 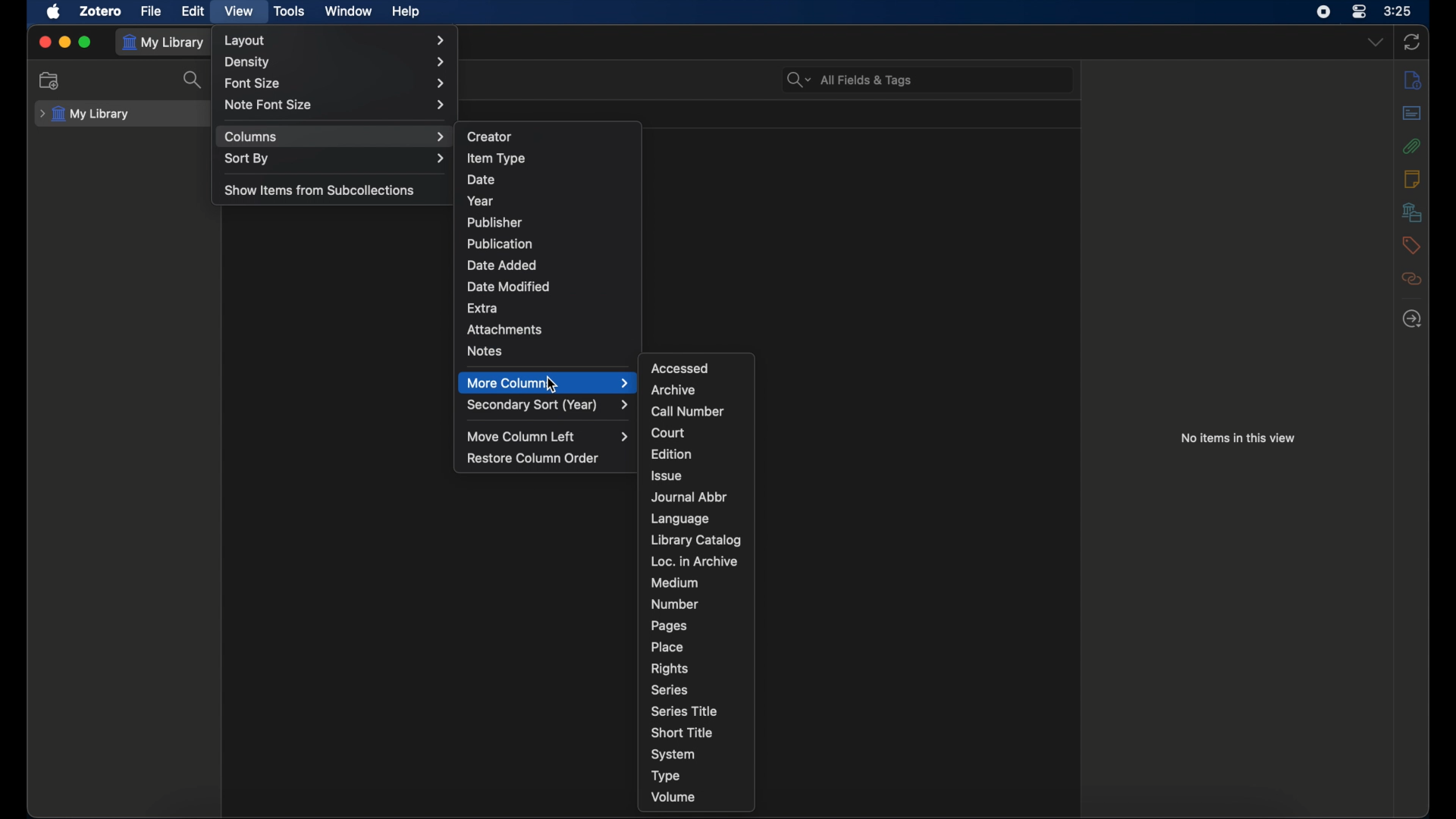 What do you see at coordinates (849, 80) in the screenshot?
I see `all fields & tags` at bounding box center [849, 80].